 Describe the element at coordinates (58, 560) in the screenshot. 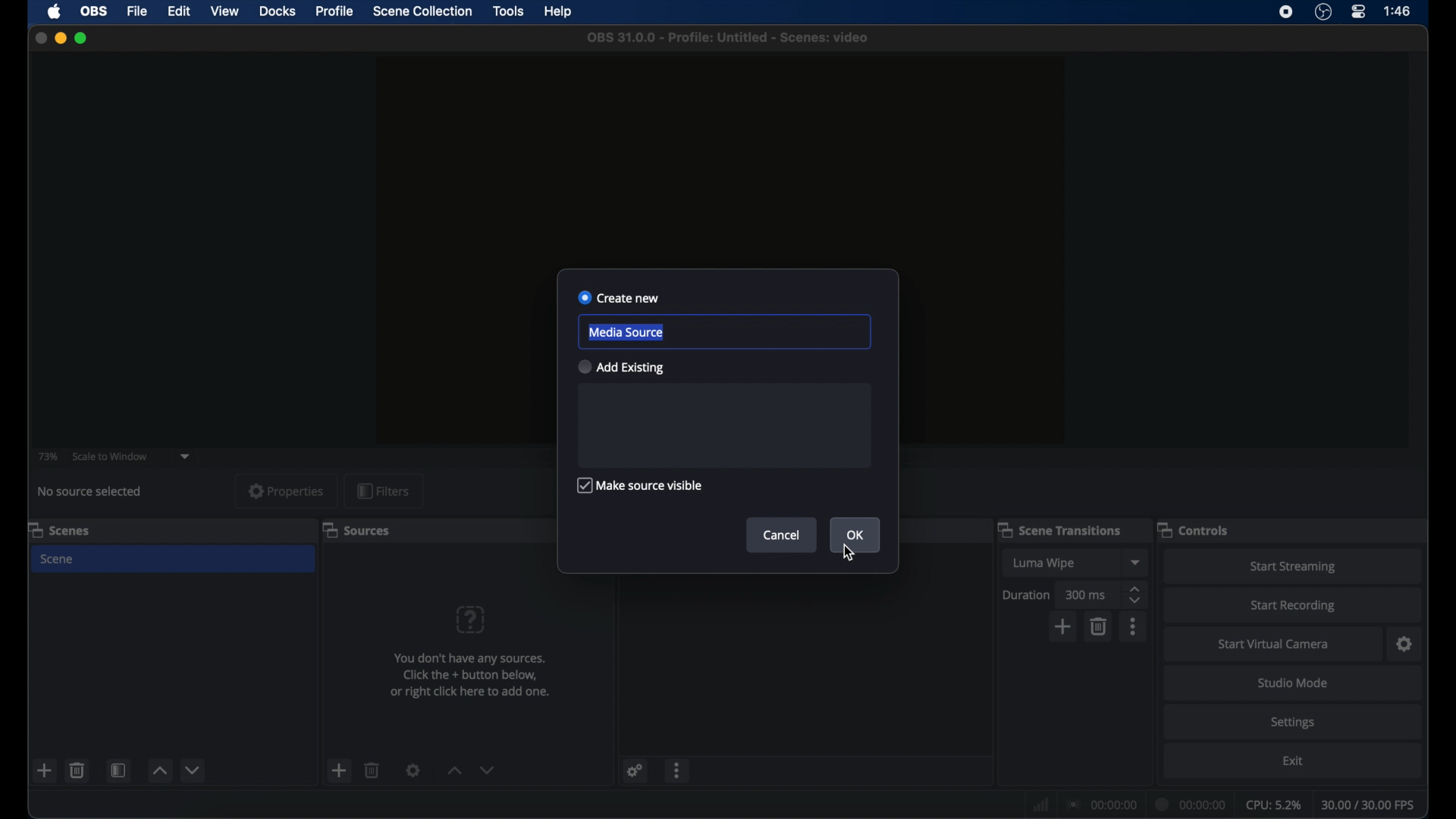

I see `scene` at that location.